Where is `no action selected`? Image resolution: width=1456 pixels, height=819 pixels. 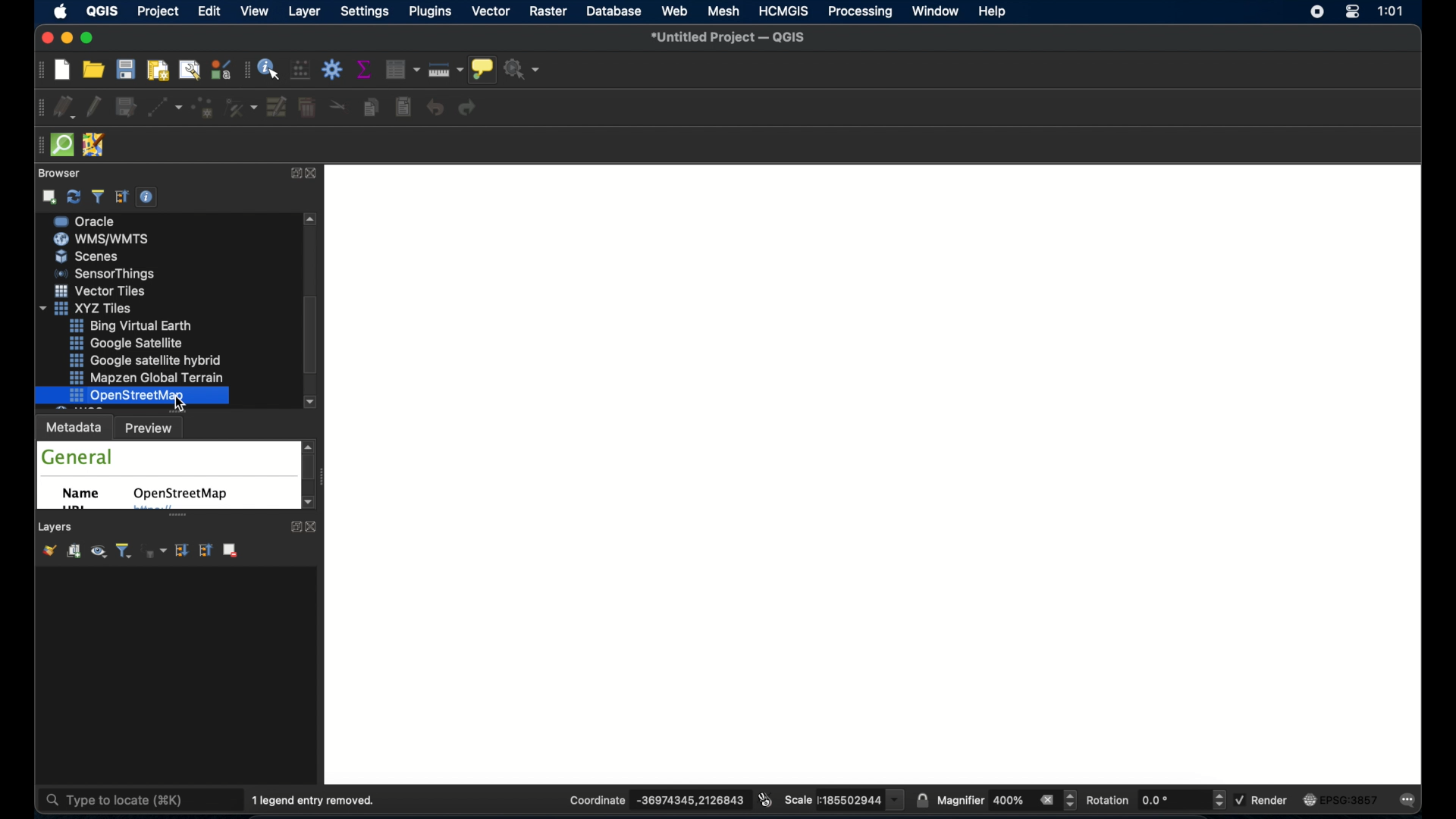
no action selected is located at coordinates (523, 71).